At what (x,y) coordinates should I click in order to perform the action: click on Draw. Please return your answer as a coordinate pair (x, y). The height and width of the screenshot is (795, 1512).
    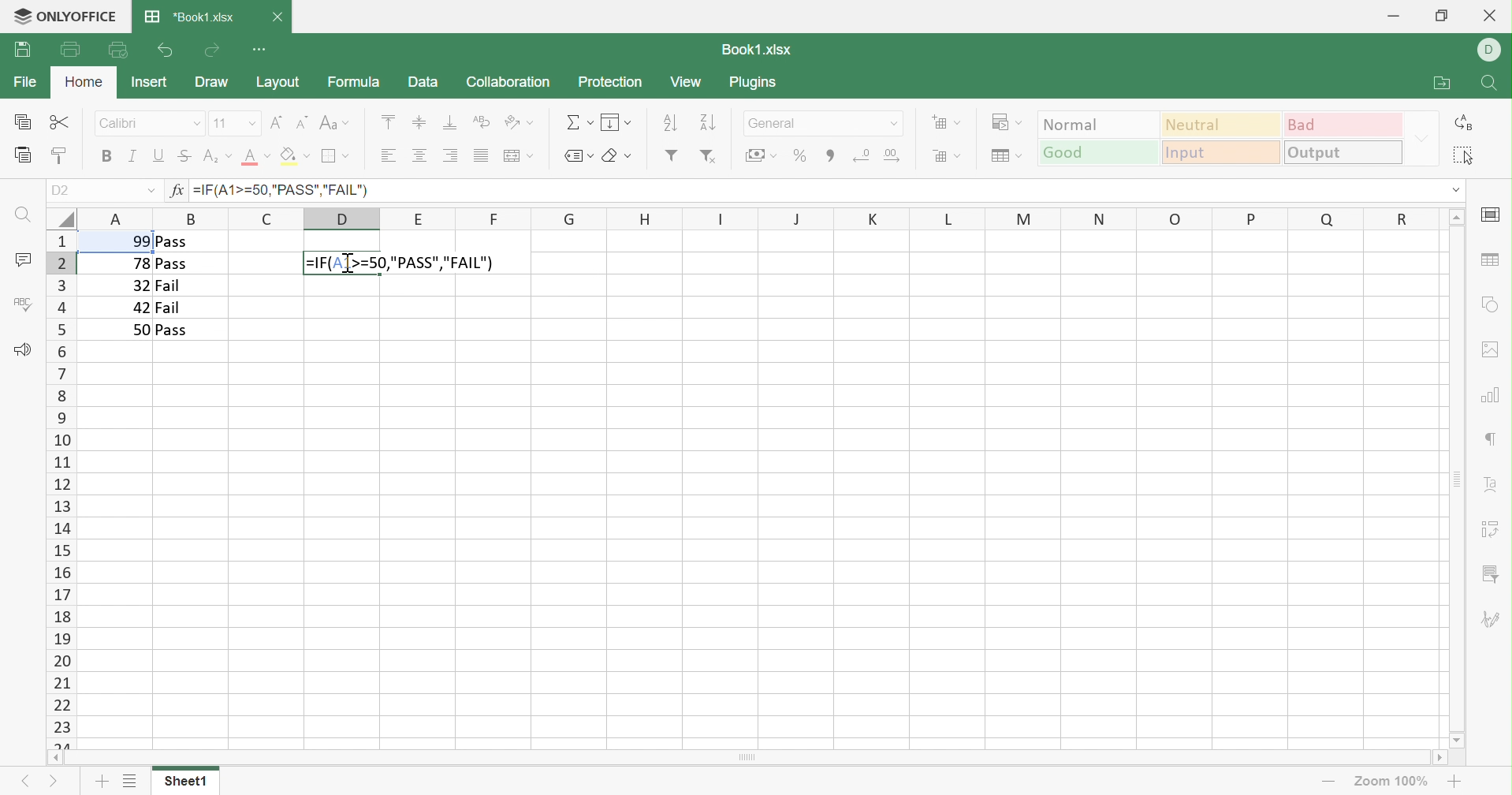
    Looking at the image, I should click on (210, 82).